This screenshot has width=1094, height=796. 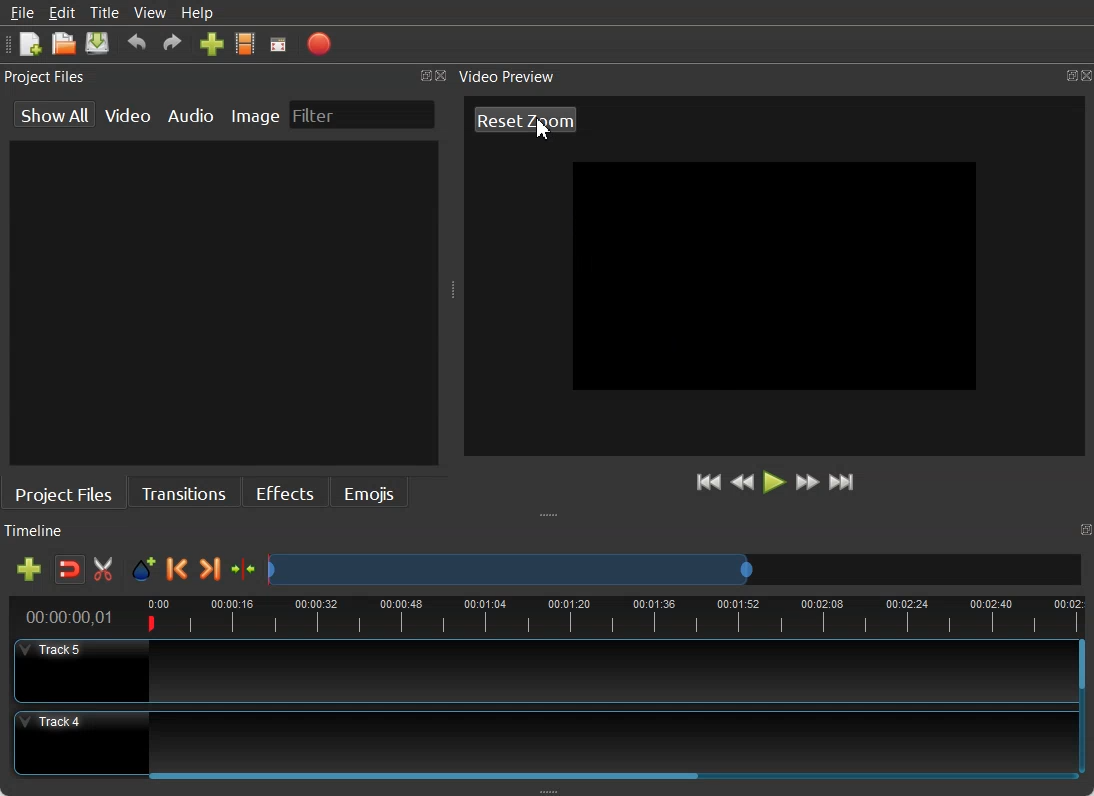 What do you see at coordinates (62, 492) in the screenshot?
I see `Project File` at bounding box center [62, 492].